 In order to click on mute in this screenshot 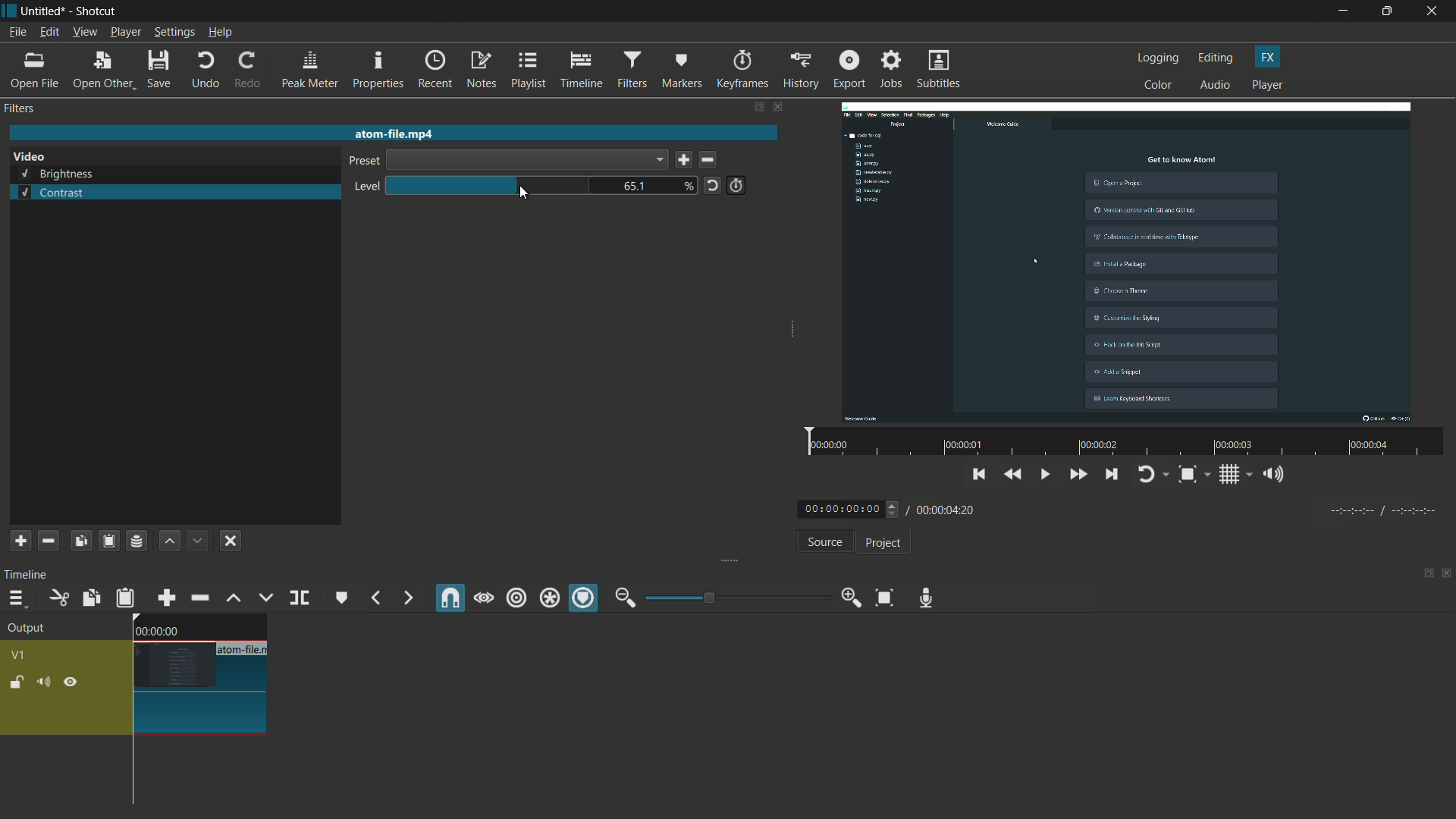, I will do `click(46, 682)`.